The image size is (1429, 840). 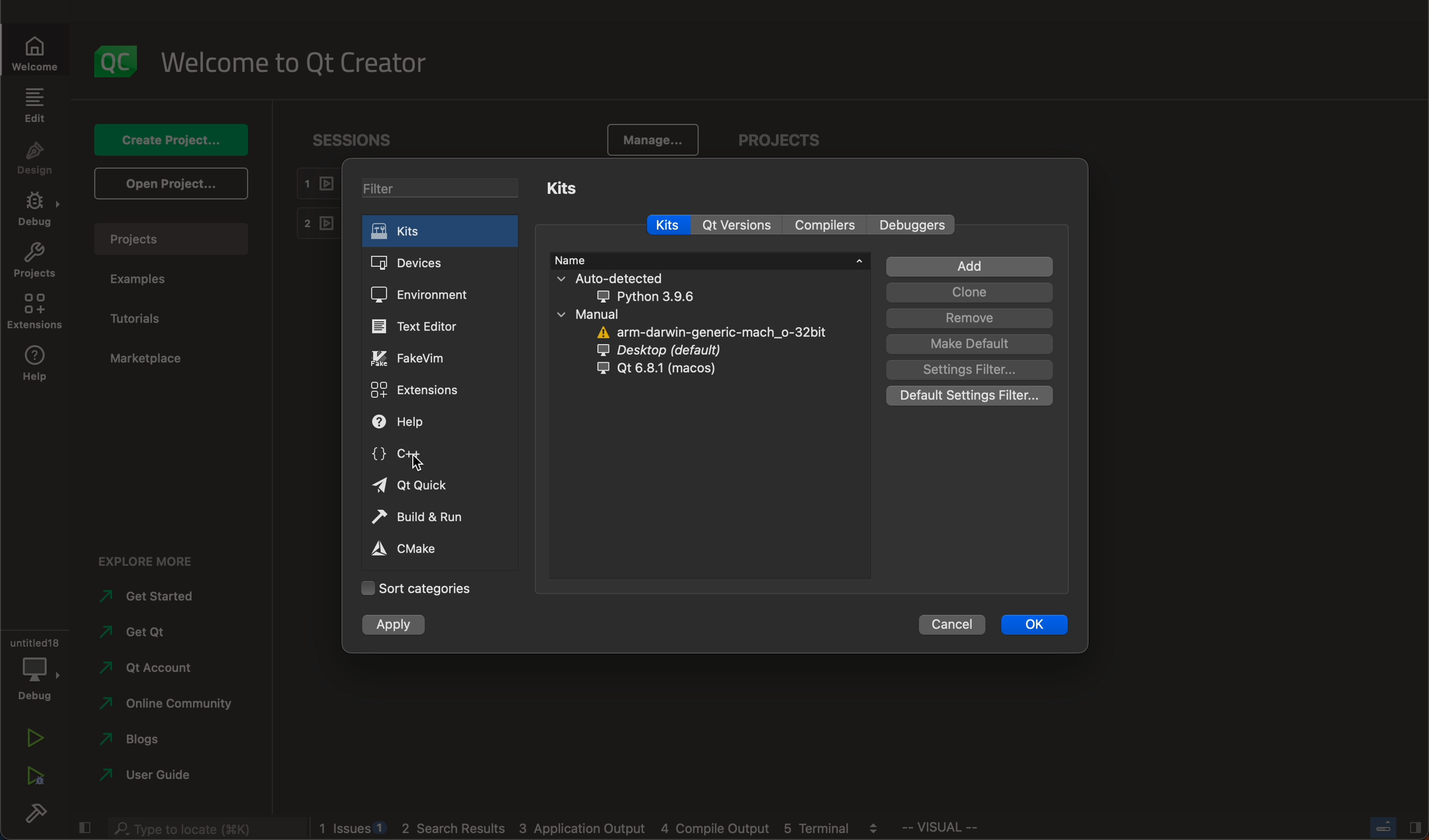 I want to click on Cursor, so click(x=415, y=464).